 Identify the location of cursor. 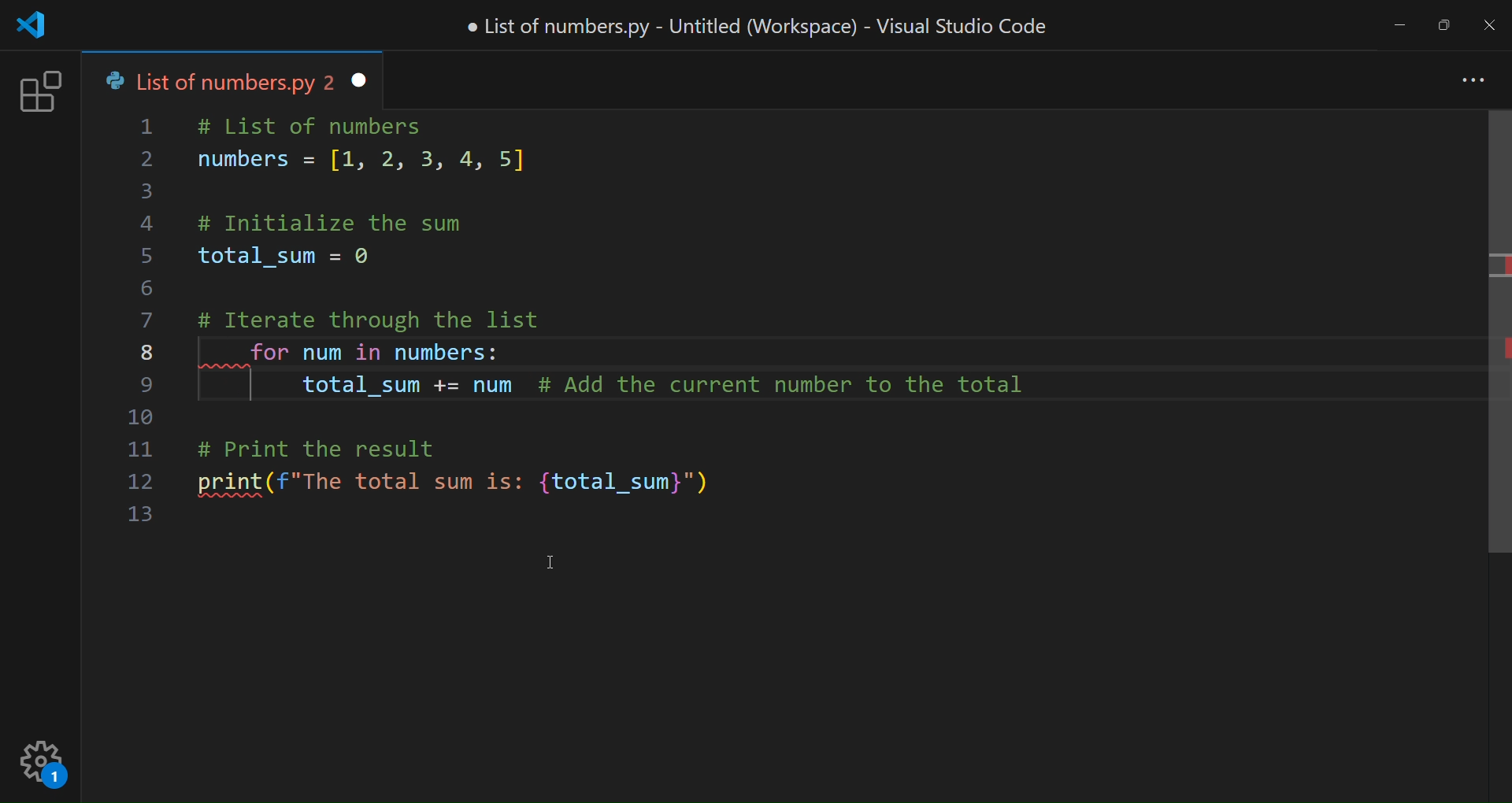
(542, 557).